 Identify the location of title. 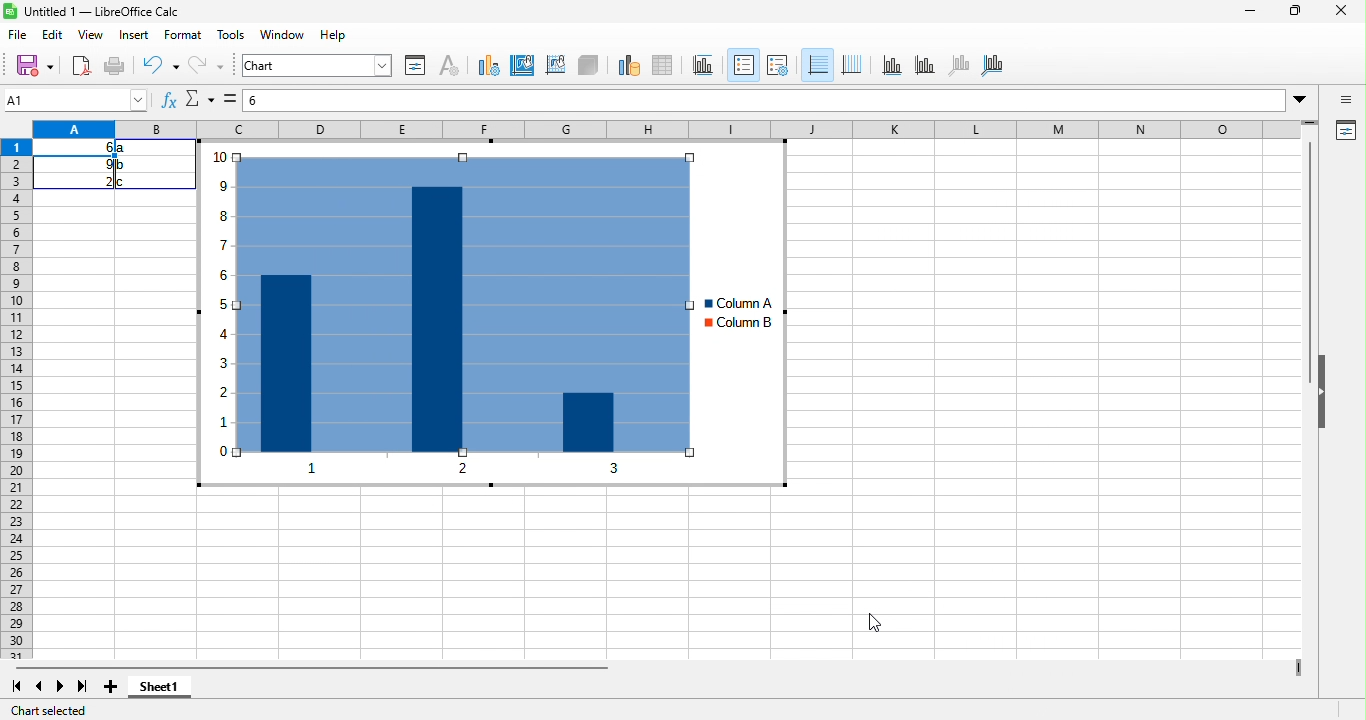
(94, 12).